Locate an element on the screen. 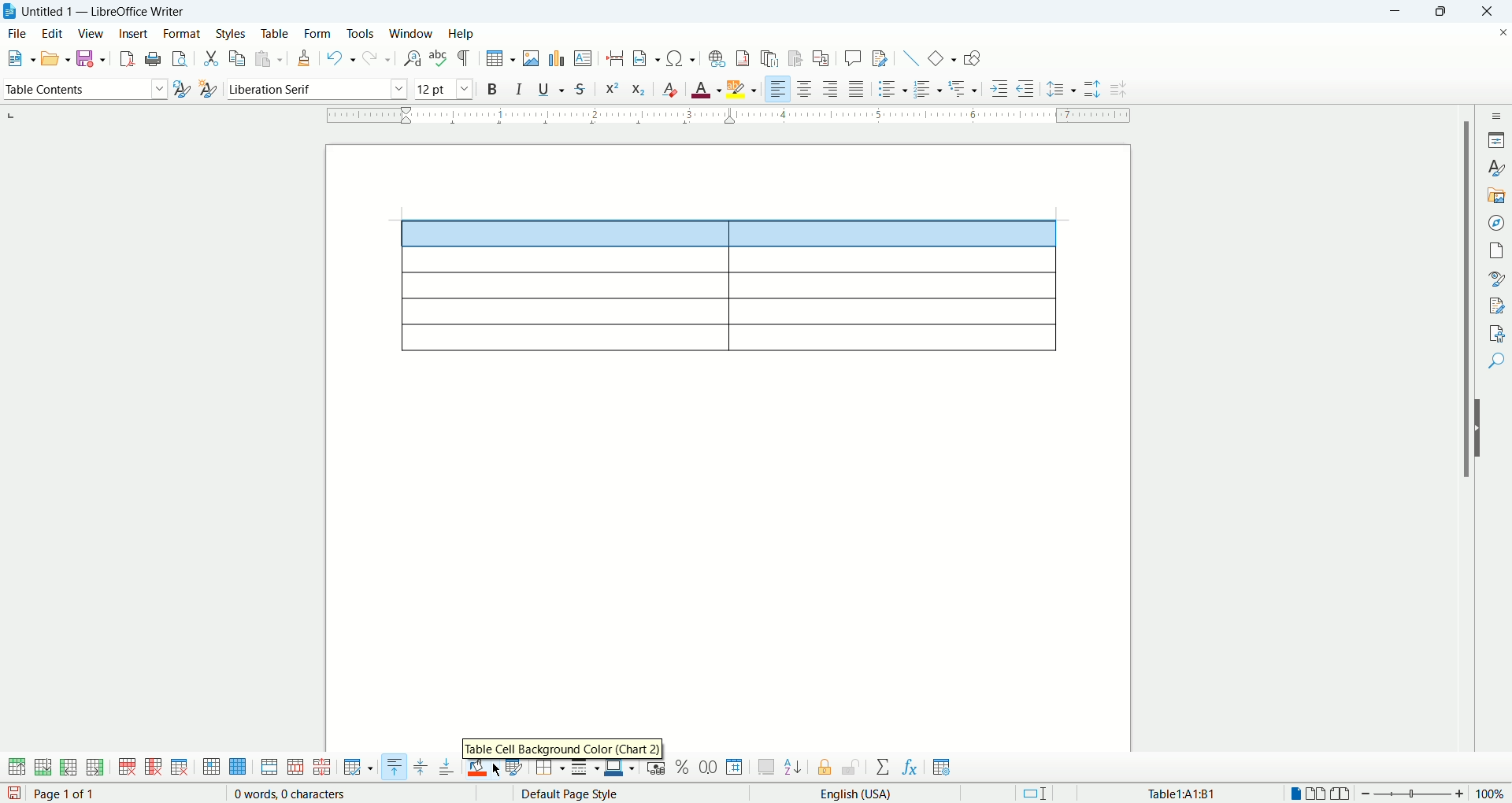 The image size is (1512, 803). unordered list is located at coordinates (891, 88).